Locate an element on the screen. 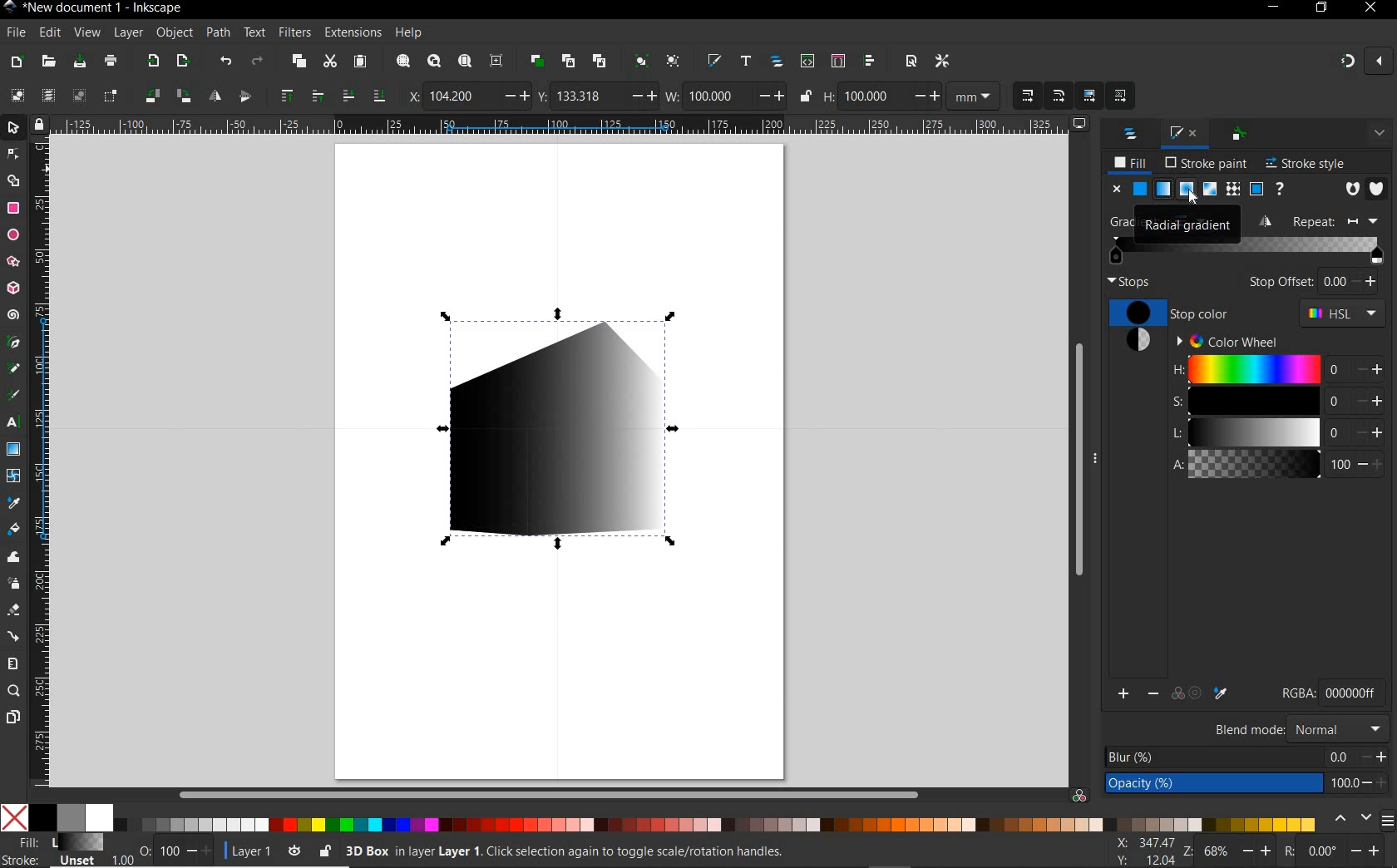  SNODE TOOL is located at coordinates (12, 154).